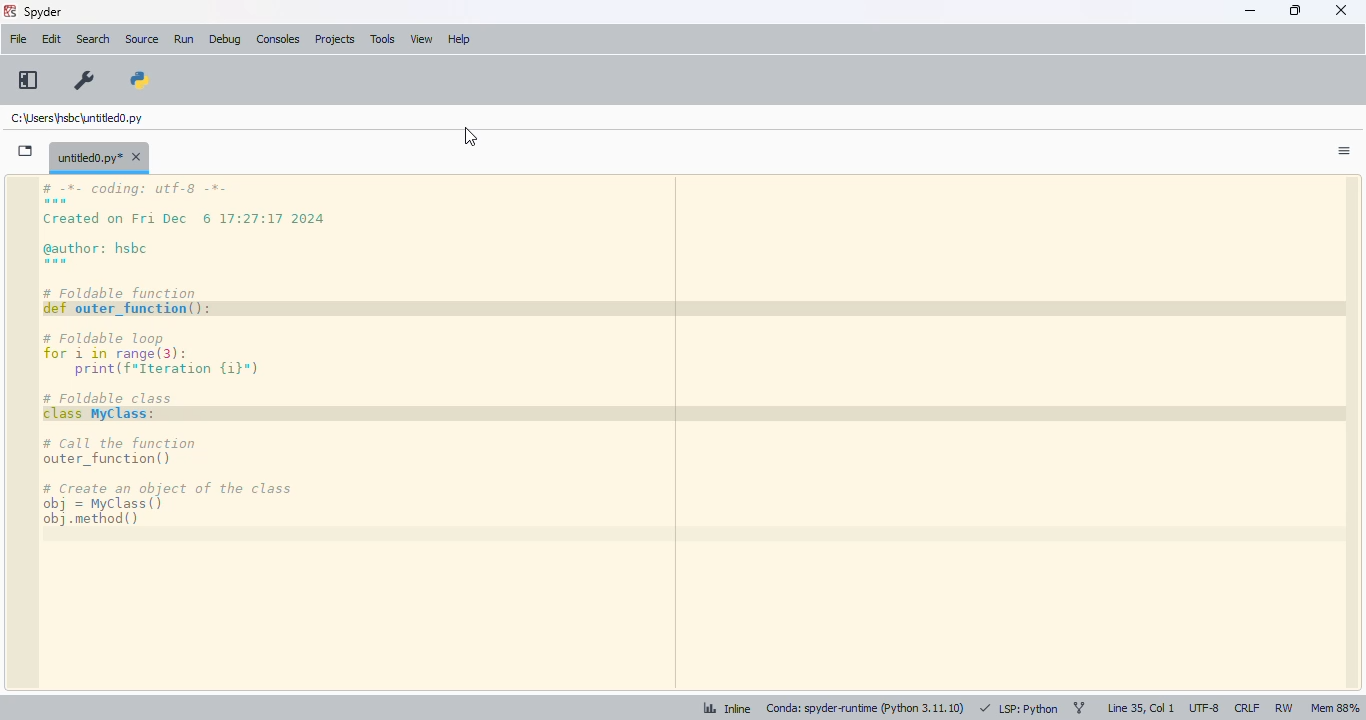 Image resolution: width=1366 pixels, height=720 pixels. I want to click on debug, so click(225, 39).